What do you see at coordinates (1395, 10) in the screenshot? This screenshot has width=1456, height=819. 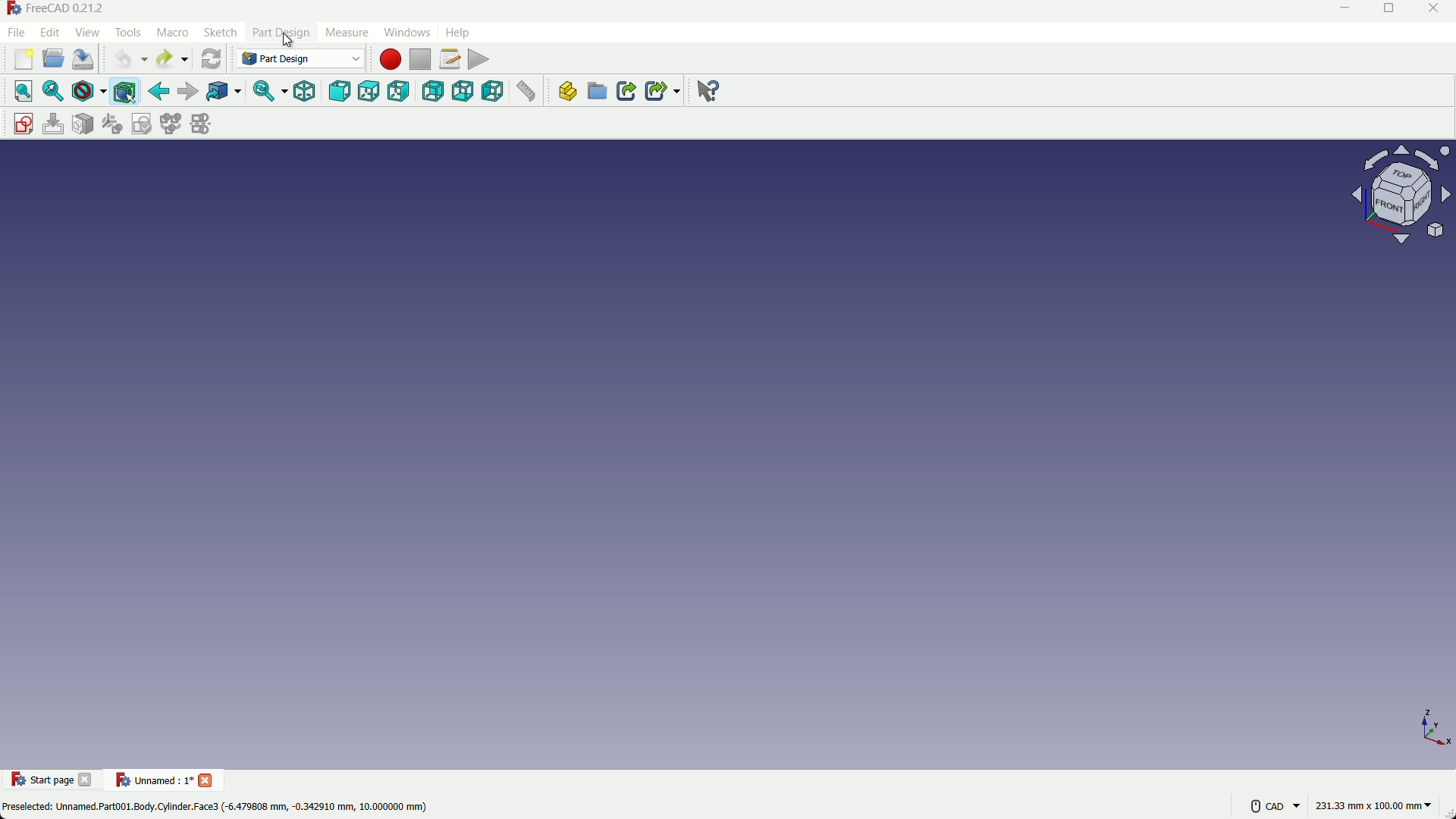 I see `maximize or restore` at bounding box center [1395, 10].